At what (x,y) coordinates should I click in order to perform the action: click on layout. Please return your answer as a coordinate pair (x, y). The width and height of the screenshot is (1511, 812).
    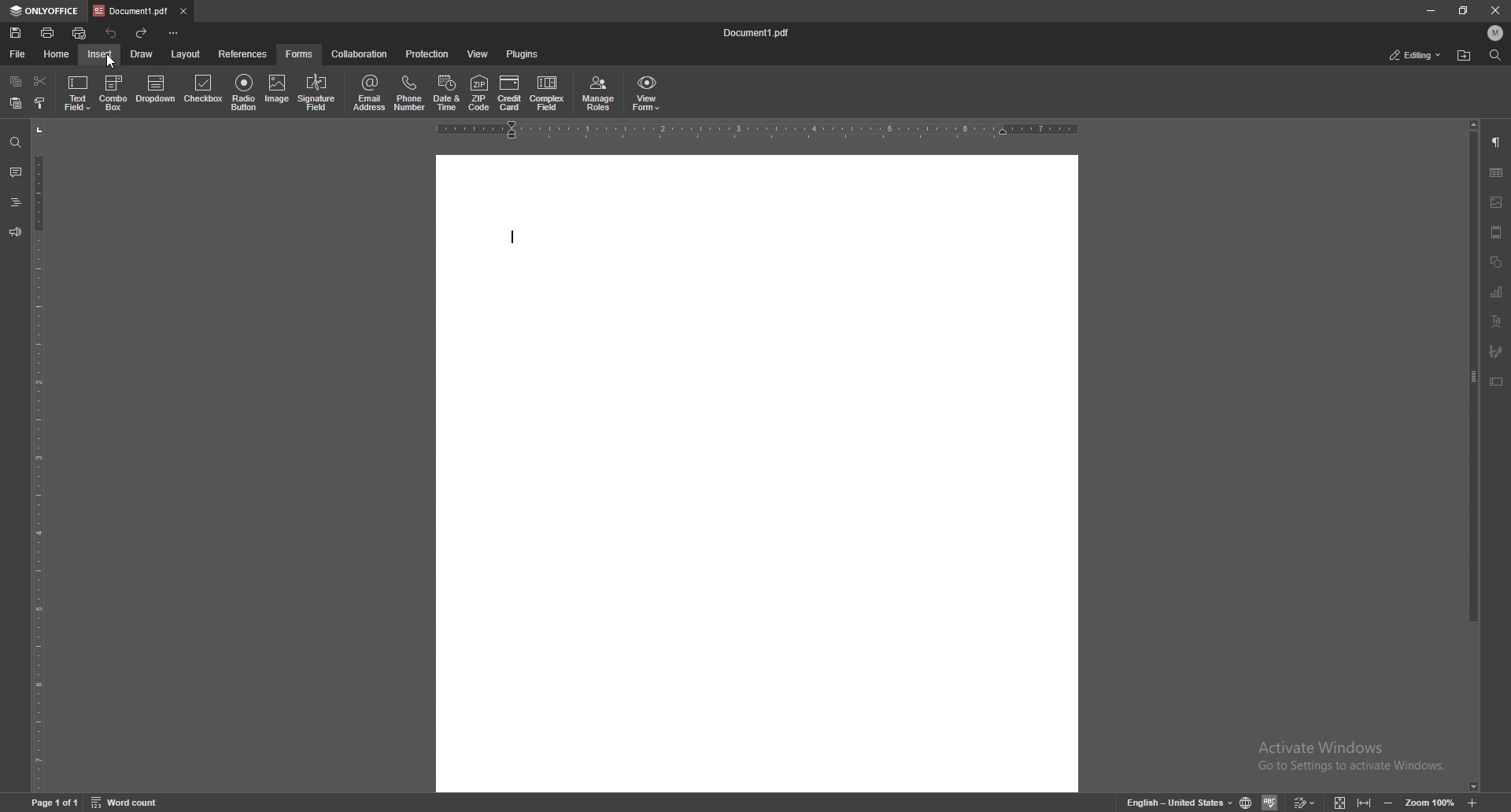
    Looking at the image, I should click on (185, 54).